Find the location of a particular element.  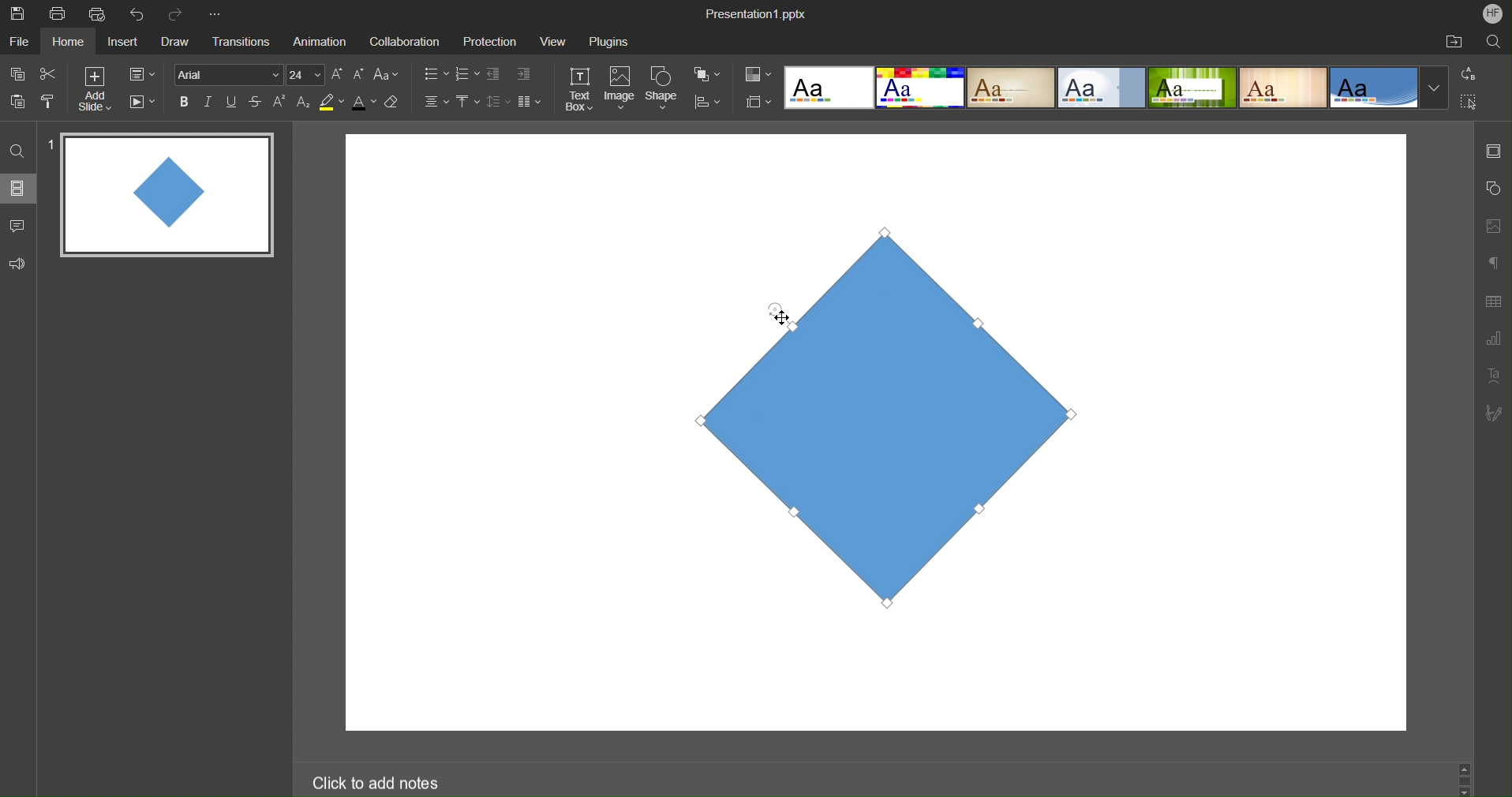

Insert is located at coordinates (121, 42).